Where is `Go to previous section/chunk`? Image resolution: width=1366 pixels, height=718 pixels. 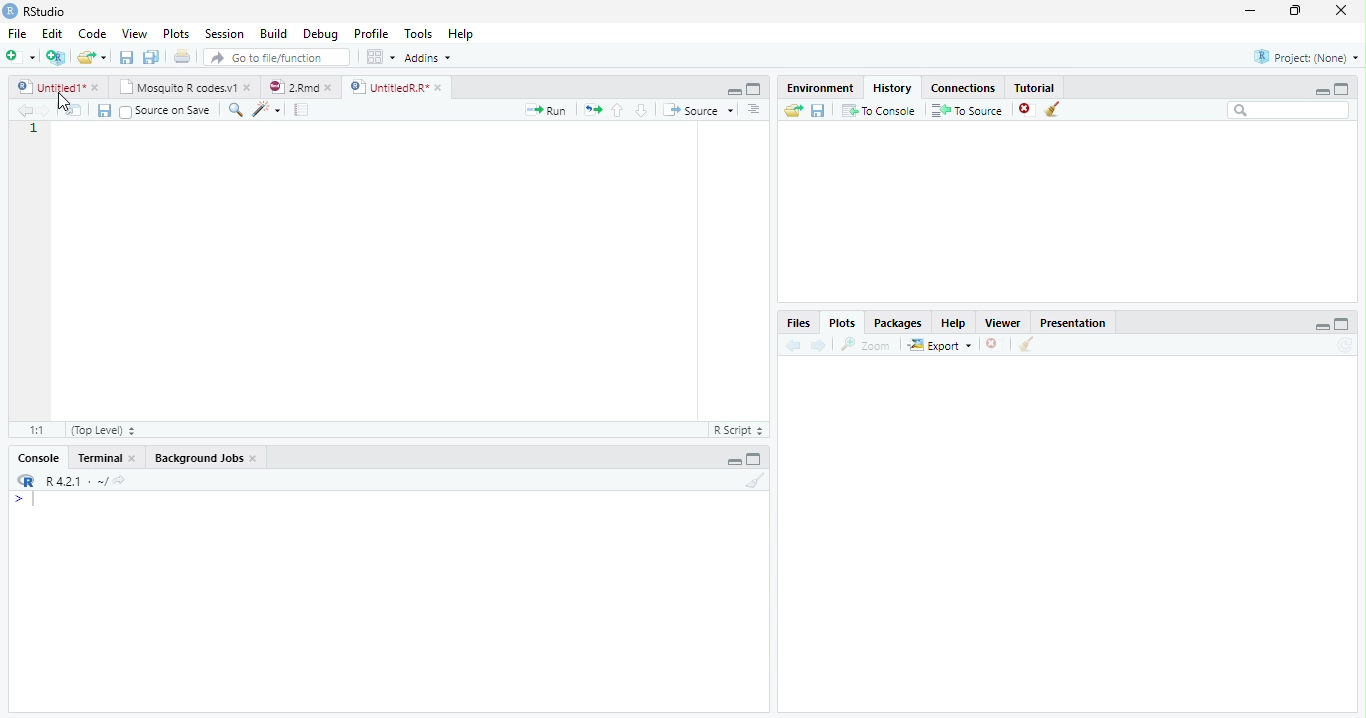 Go to previous section/chunk is located at coordinates (617, 110).